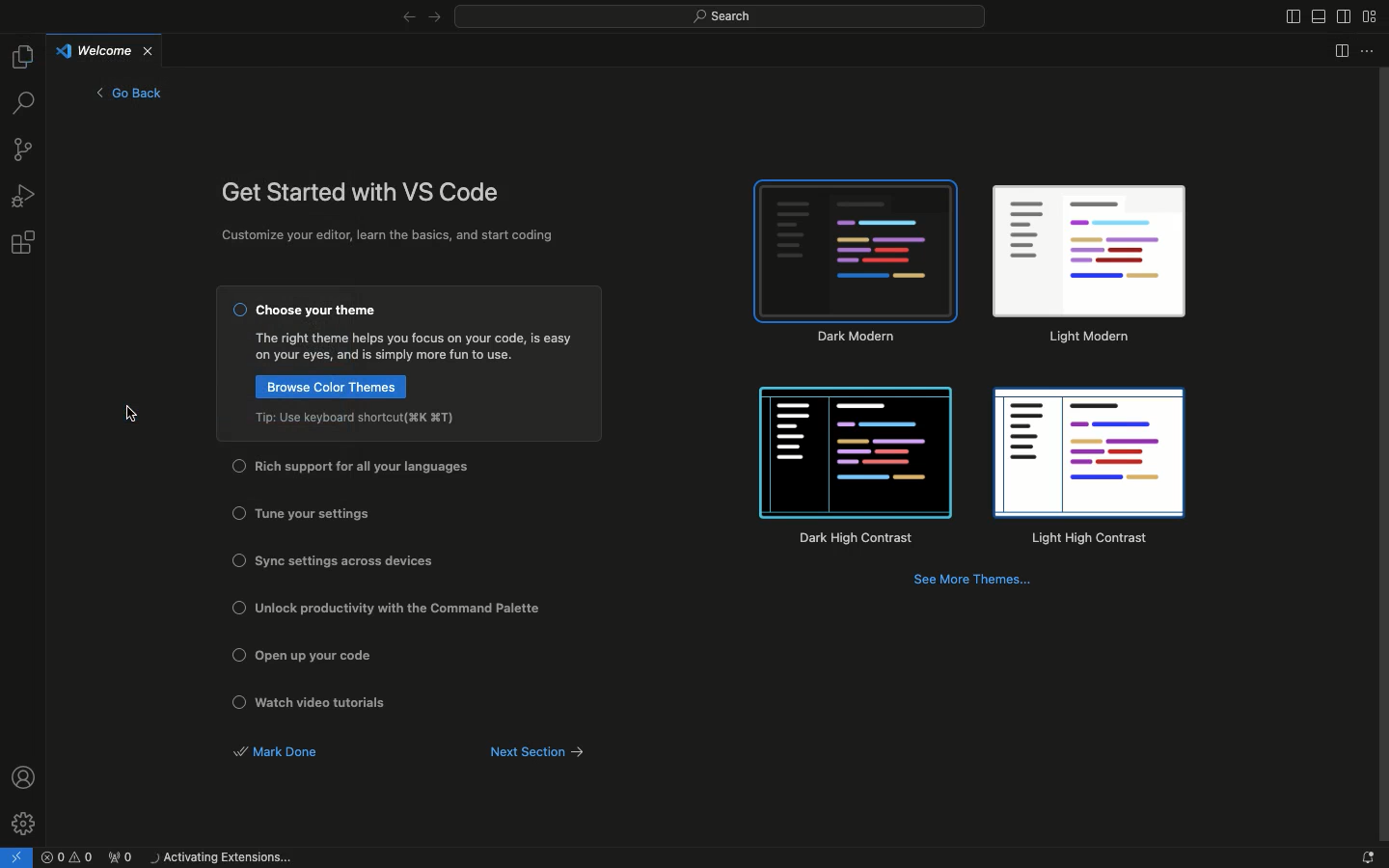  What do you see at coordinates (319, 312) in the screenshot?
I see `Choose your theme` at bounding box center [319, 312].